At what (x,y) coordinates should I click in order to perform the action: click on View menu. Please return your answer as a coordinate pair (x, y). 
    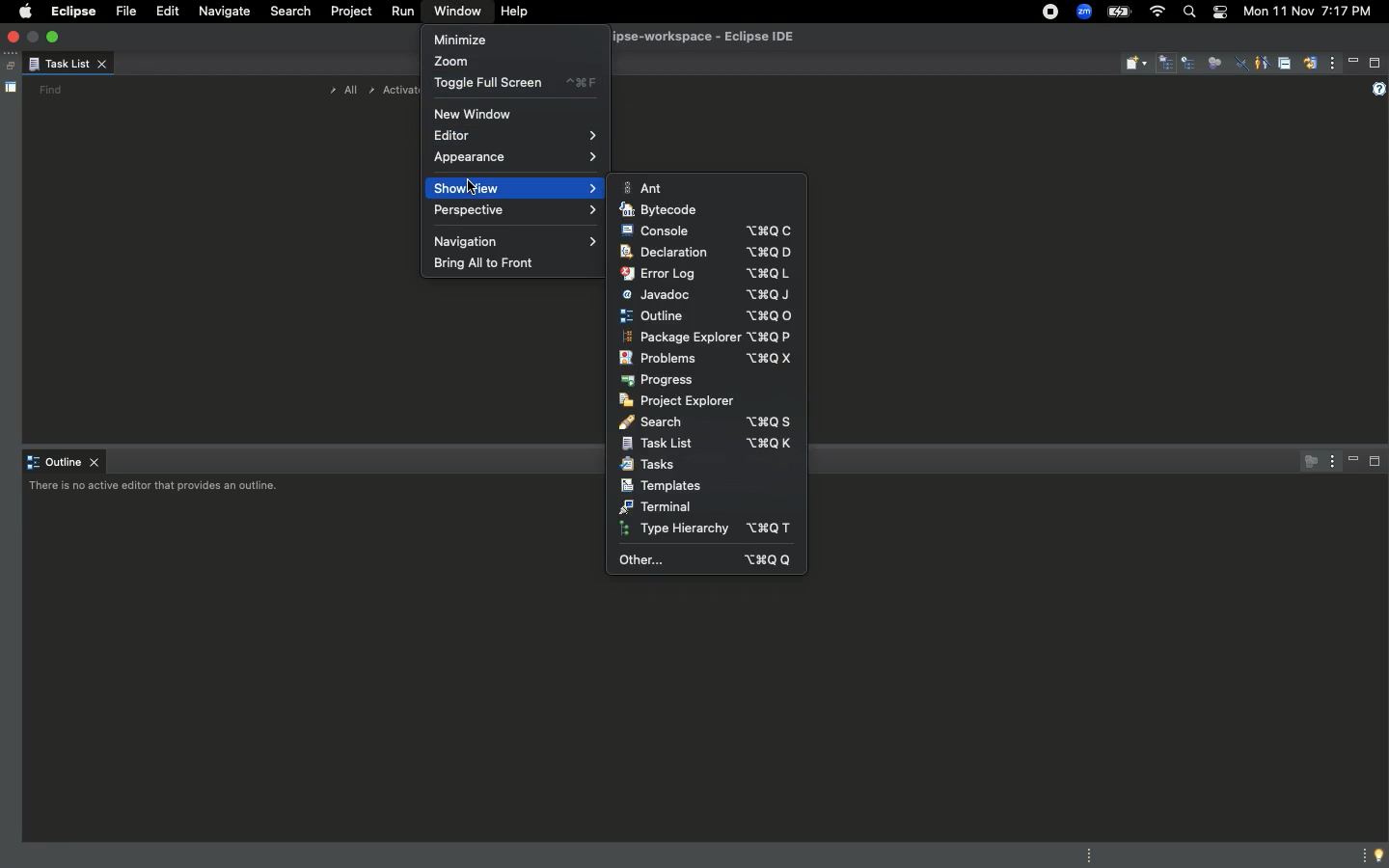
    Looking at the image, I should click on (1333, 66).